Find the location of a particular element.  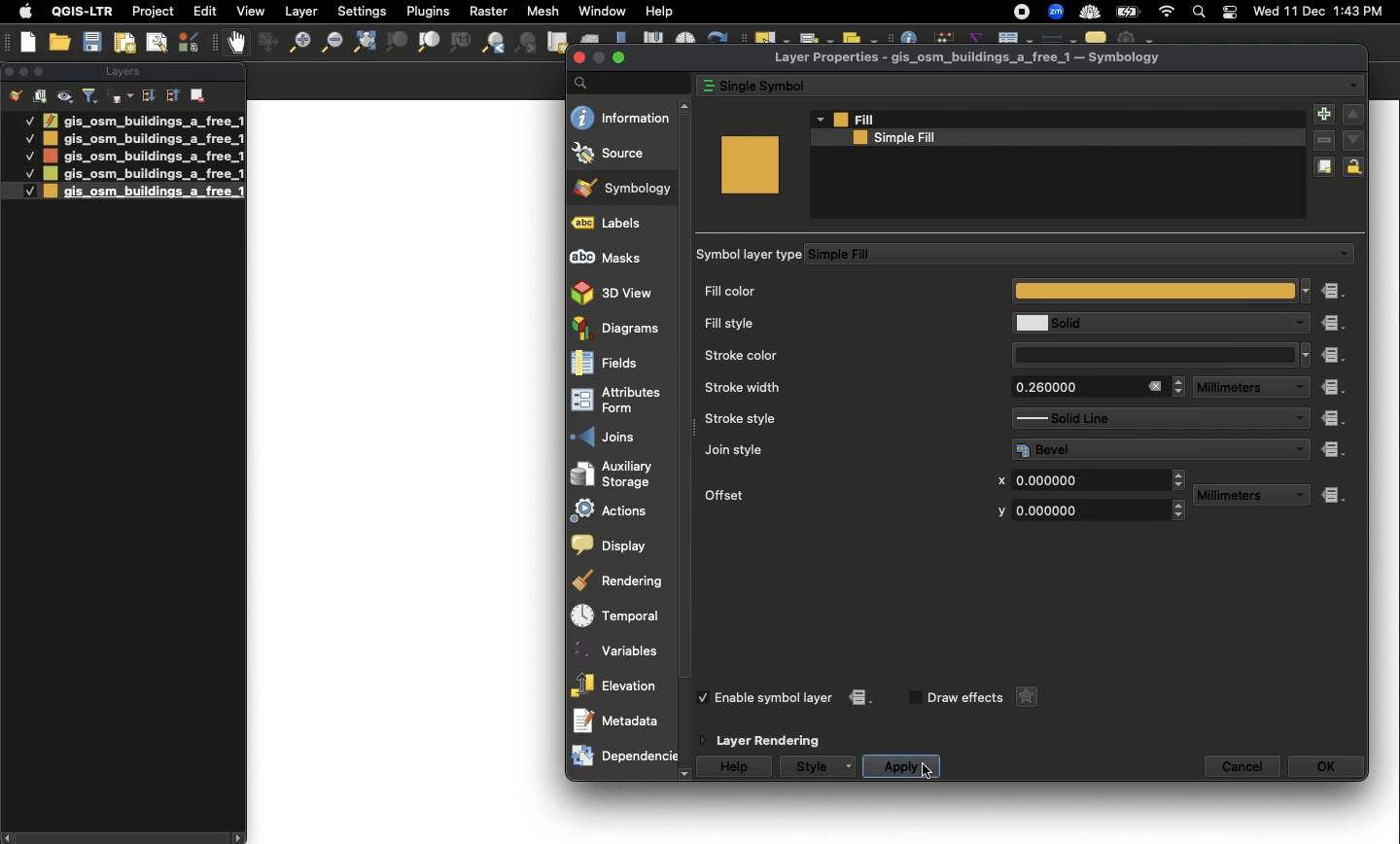

 is located at coordinates (1338, 290).